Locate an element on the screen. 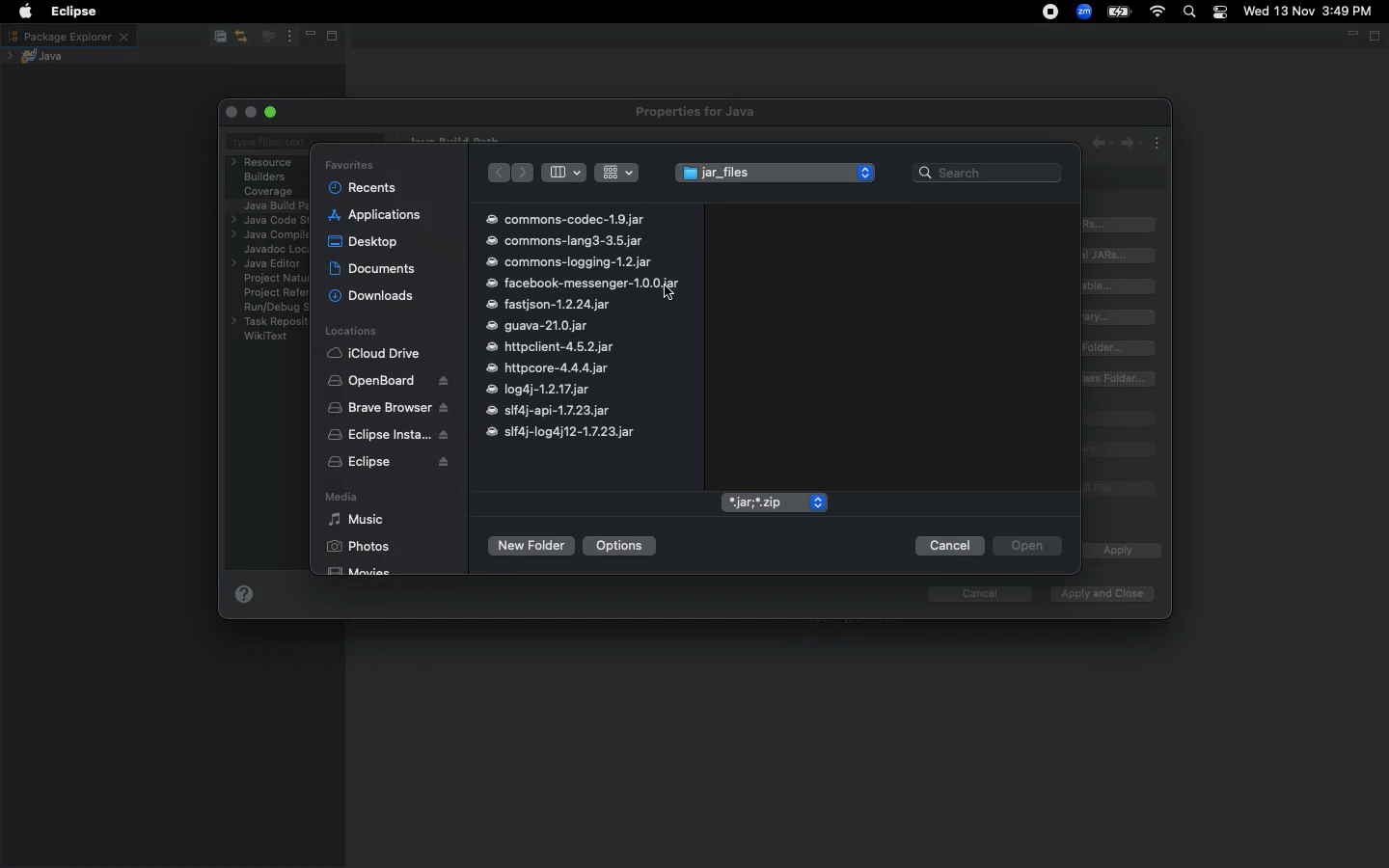  *.jar,*.zip is located at coordinates (763, 502).